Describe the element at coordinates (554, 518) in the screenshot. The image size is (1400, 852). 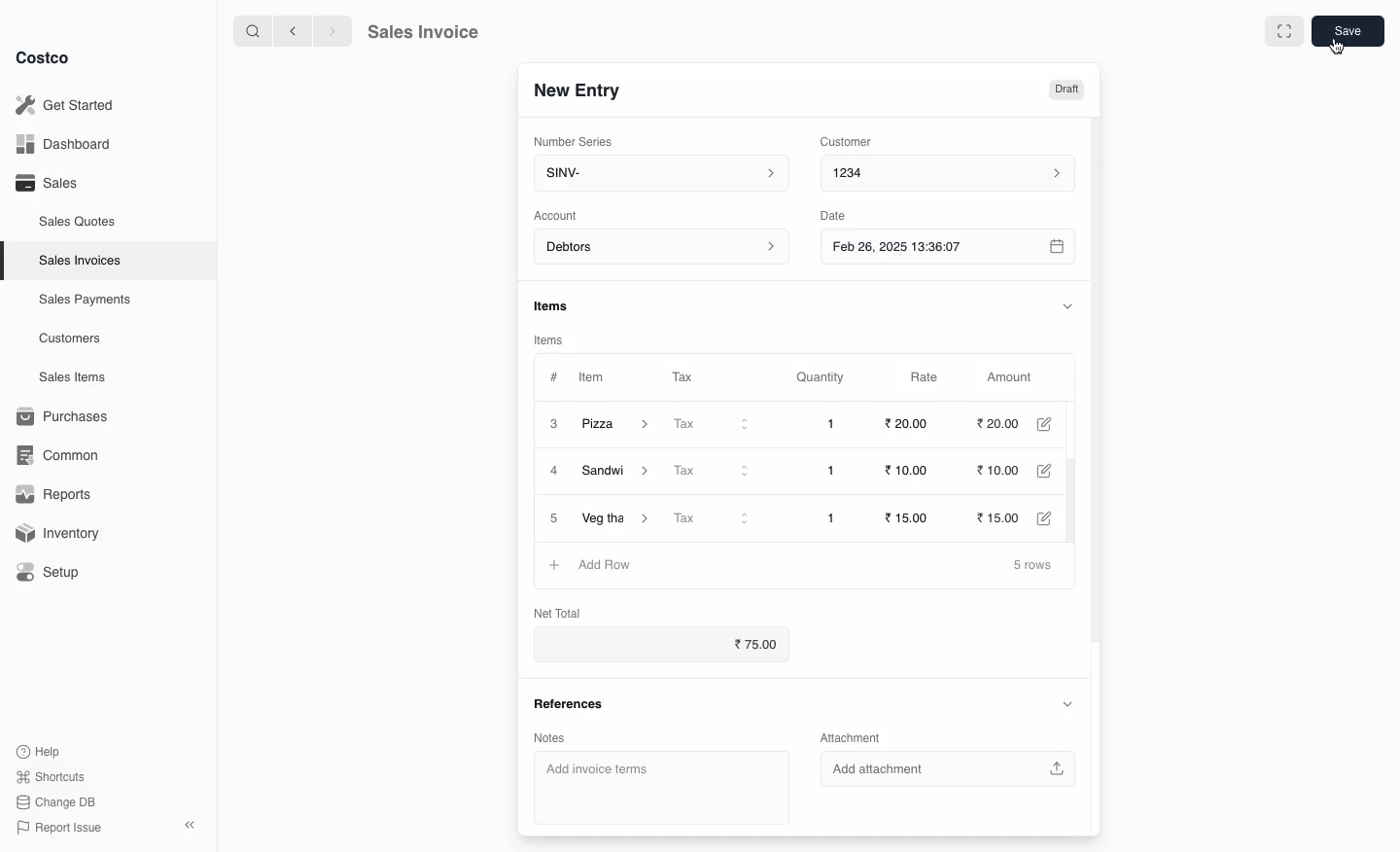
I see `5` at that location.